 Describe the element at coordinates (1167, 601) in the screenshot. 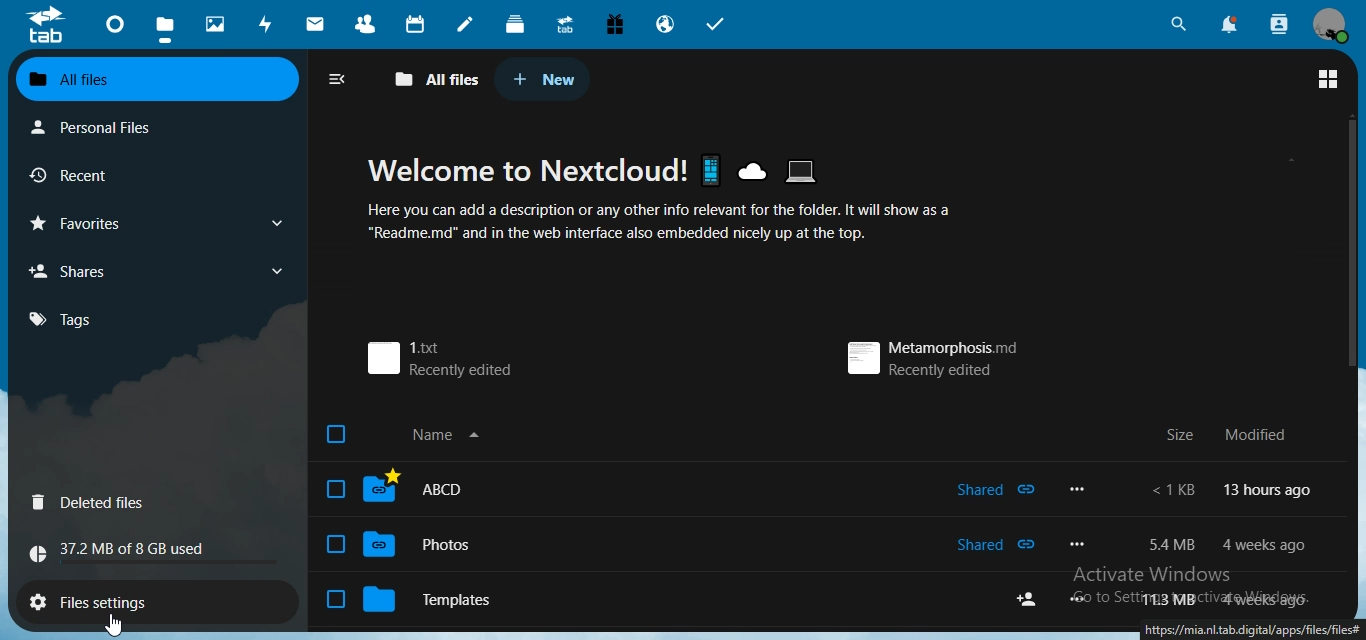

I see `text` at that location.